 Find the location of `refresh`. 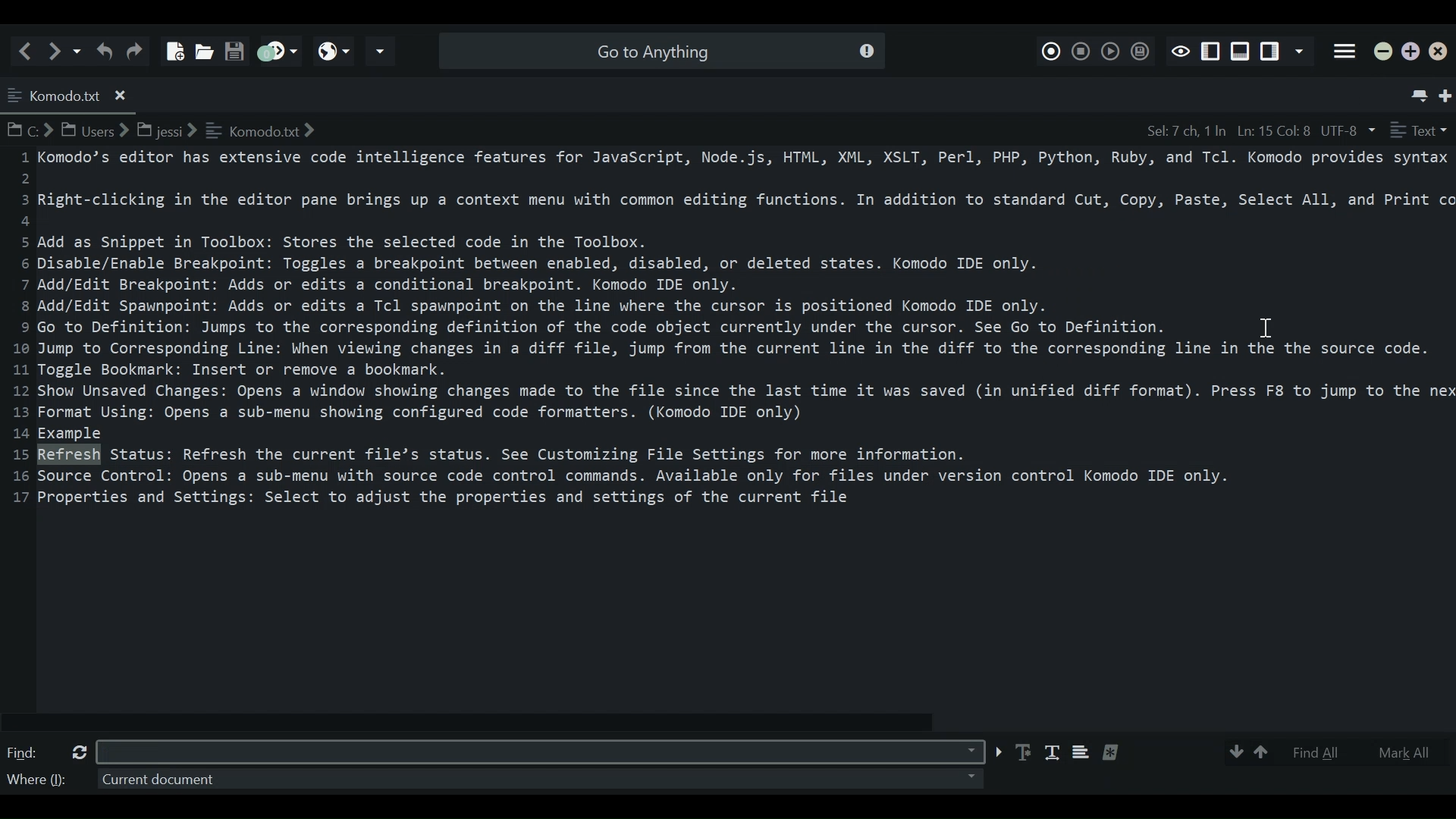

refresh is located at coordinates (76, 752).